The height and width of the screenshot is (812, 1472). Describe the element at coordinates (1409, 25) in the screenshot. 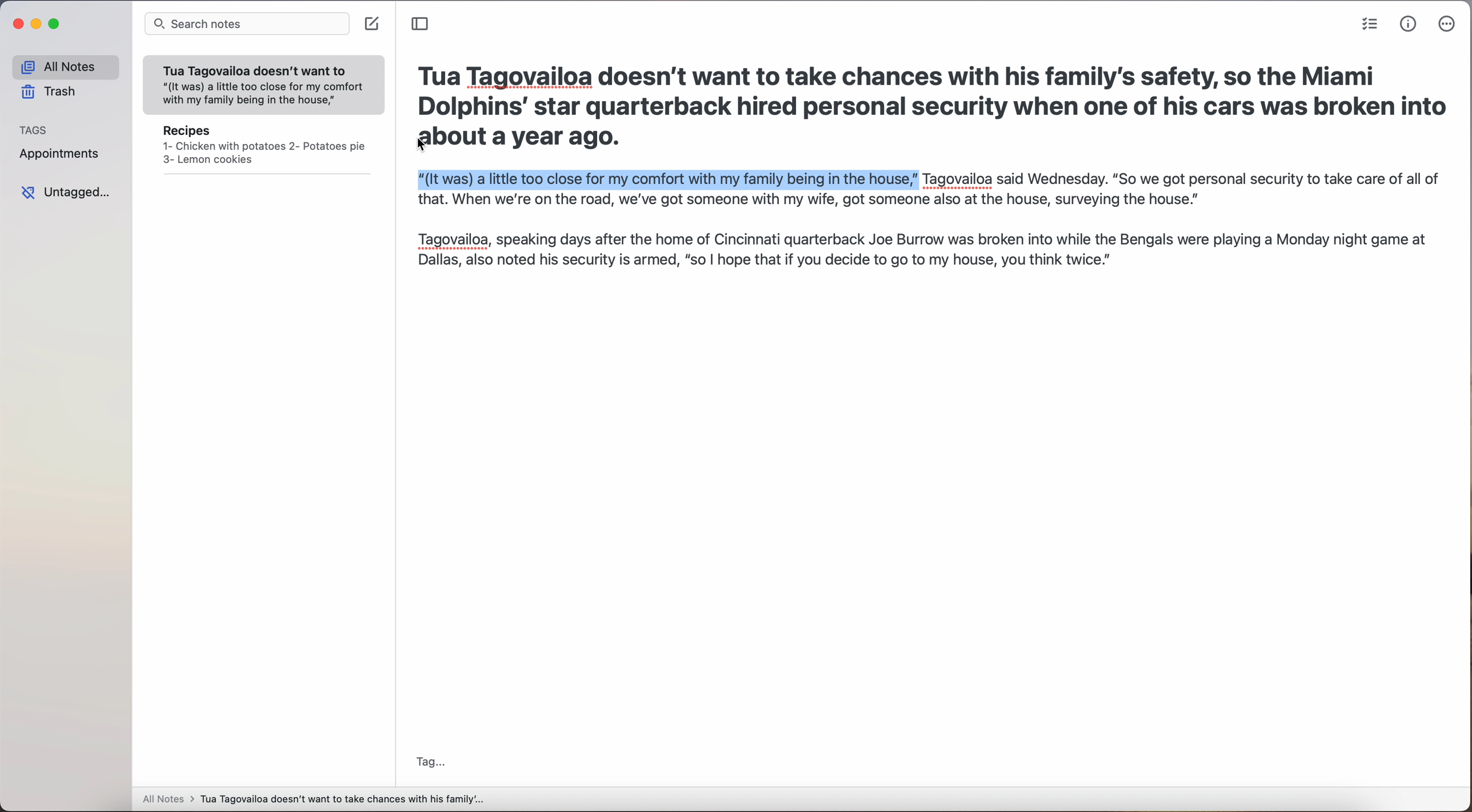

I see `metrics` at that location.